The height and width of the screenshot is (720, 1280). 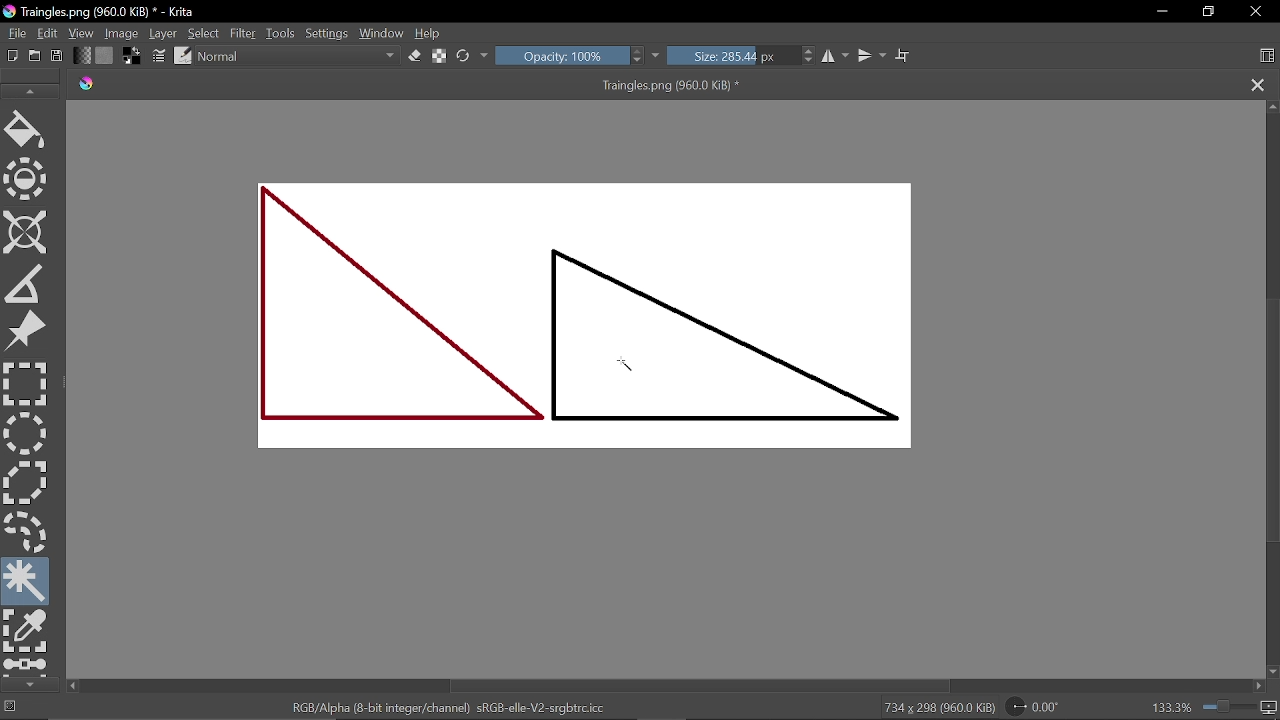 I want to click on Select by color tool, so click(x=27, y=632).